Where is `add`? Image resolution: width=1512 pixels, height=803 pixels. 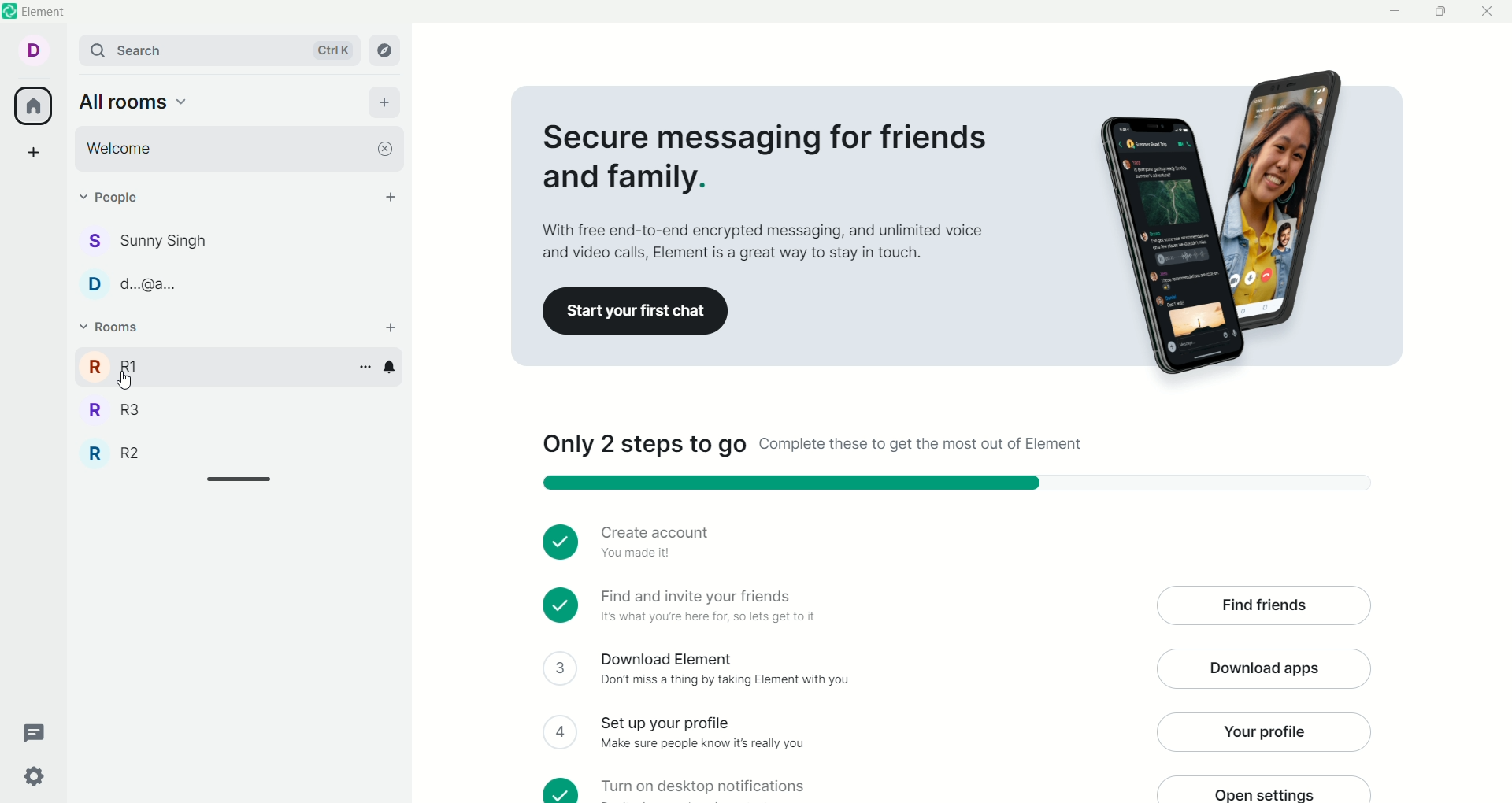 add is located at coordinates (385, 103).